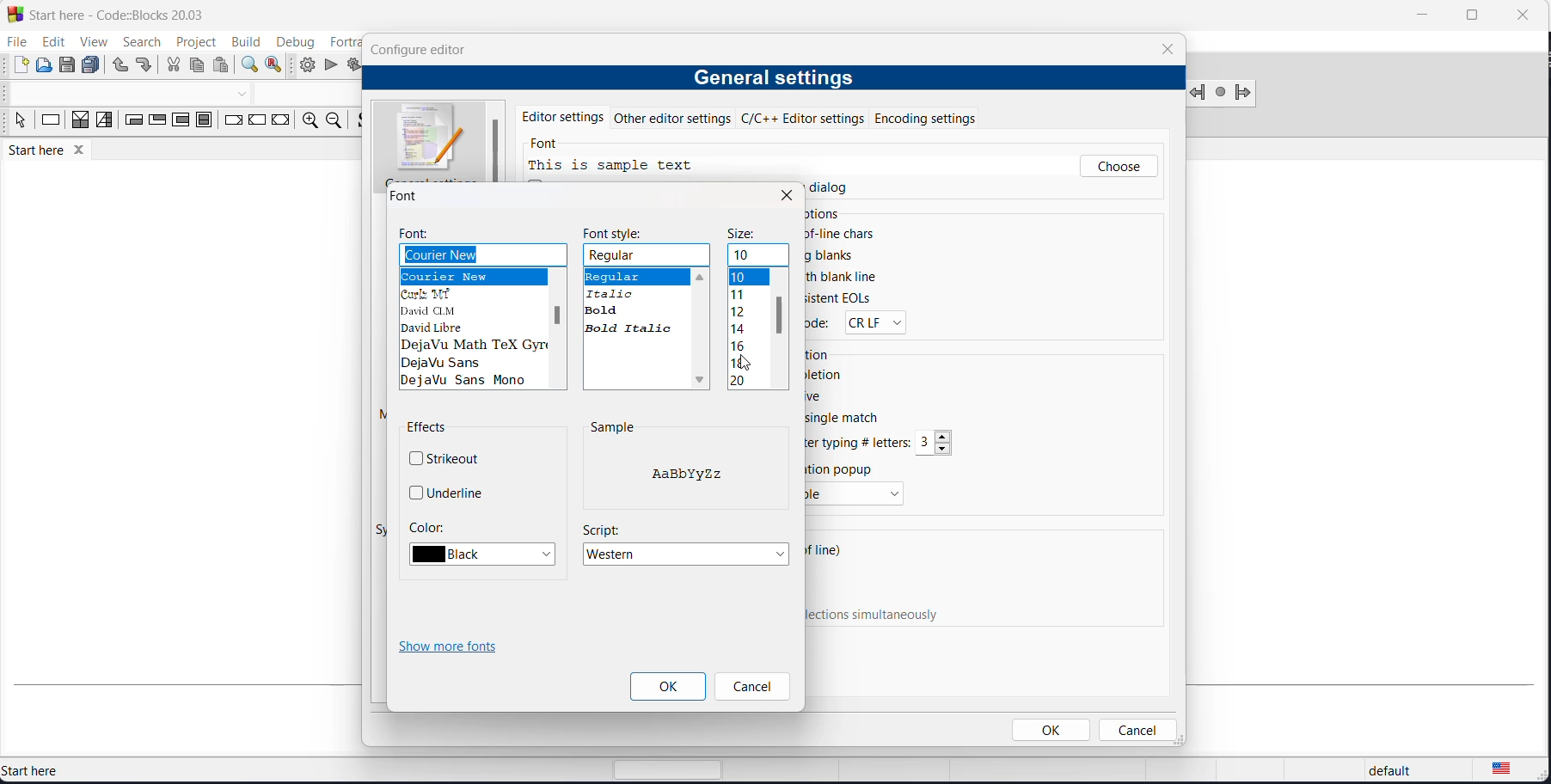 The height and width of the screenshot is (784, 1551). Describe the element at coordinates (69, 65) in the screenshot. I see `save ` at that location.